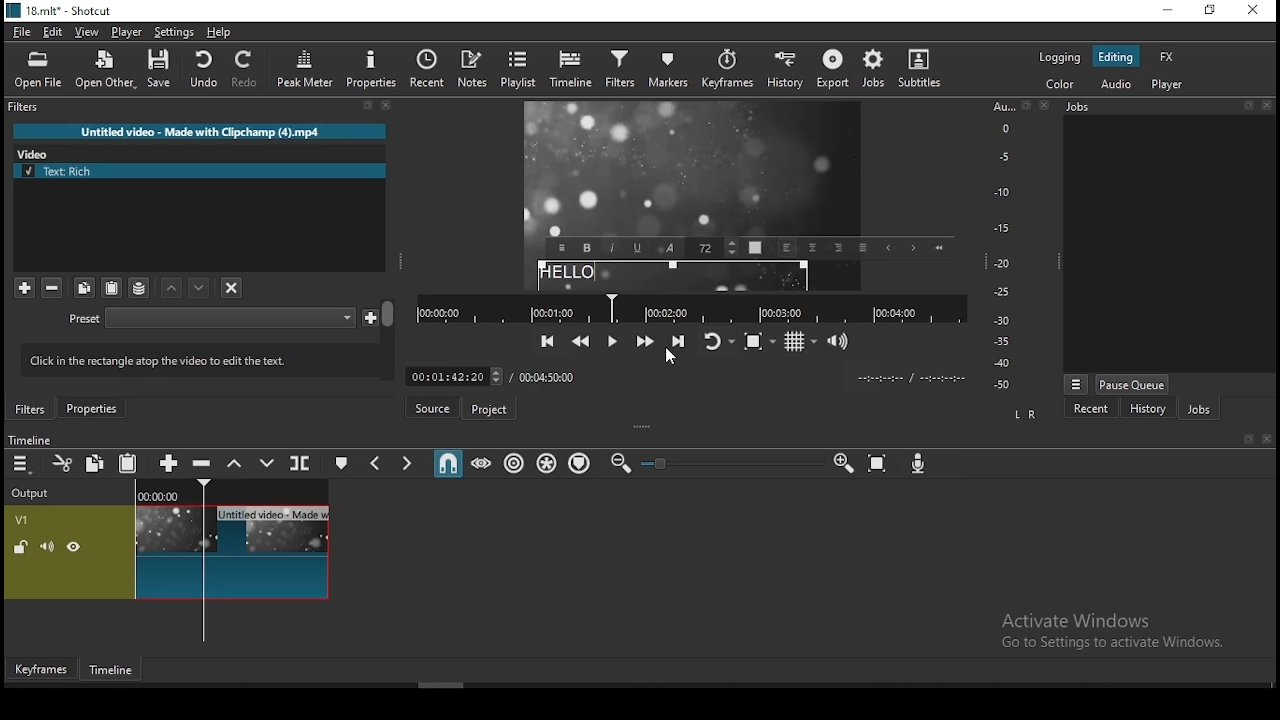 The height and width of the screenshot is (720, 1280). Describe the element at coordinates (87, 33) in the screenshot. I see `view` at that location.